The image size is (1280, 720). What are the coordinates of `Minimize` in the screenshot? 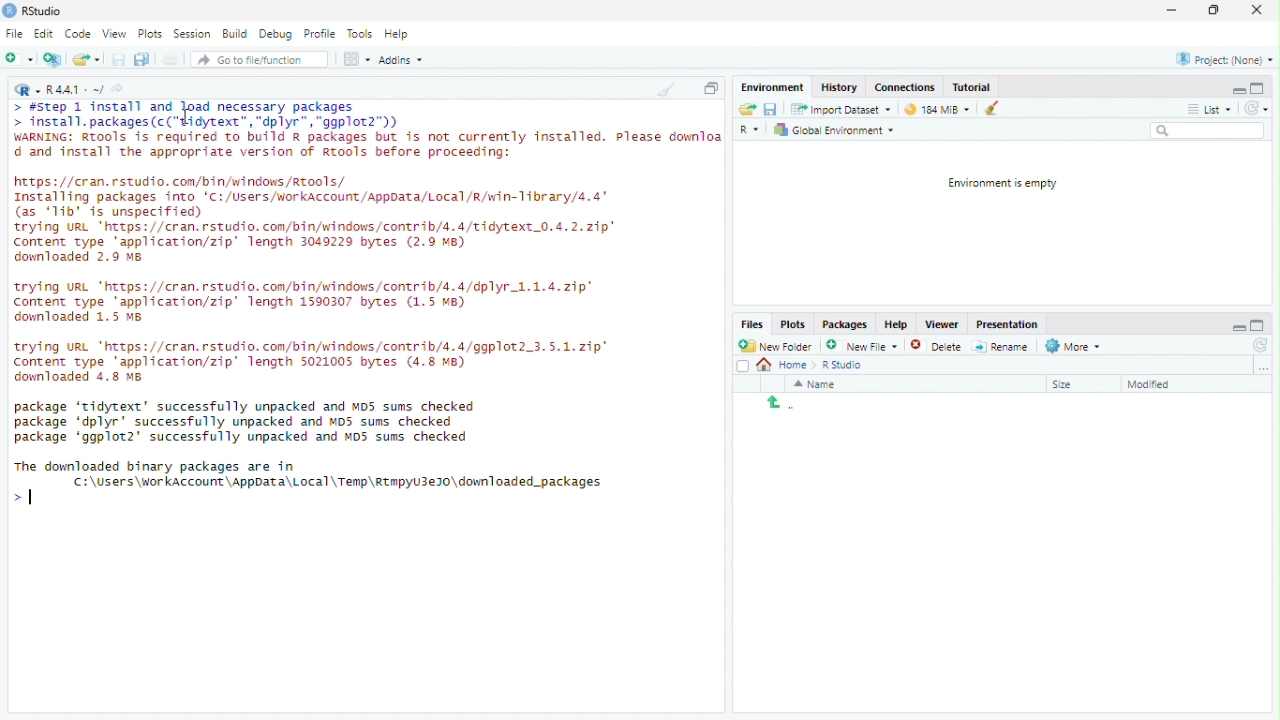 It's located at (1170, 10).